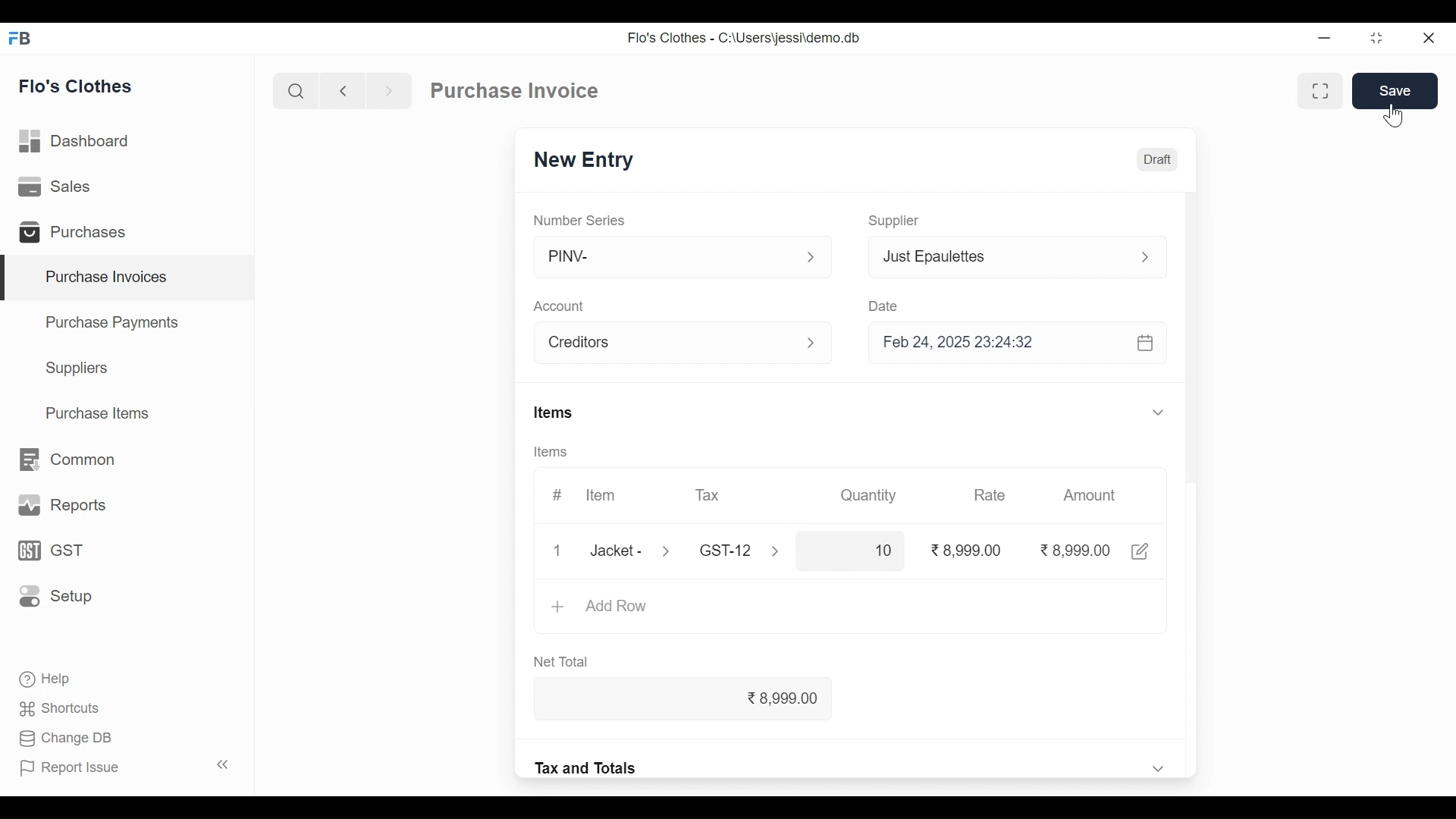 The width and height of the screenshot is (1456, 819). What do you see at coordinates (566, 663) in the screenshot?
I see `Net Total` at bounding box center [566, 663].